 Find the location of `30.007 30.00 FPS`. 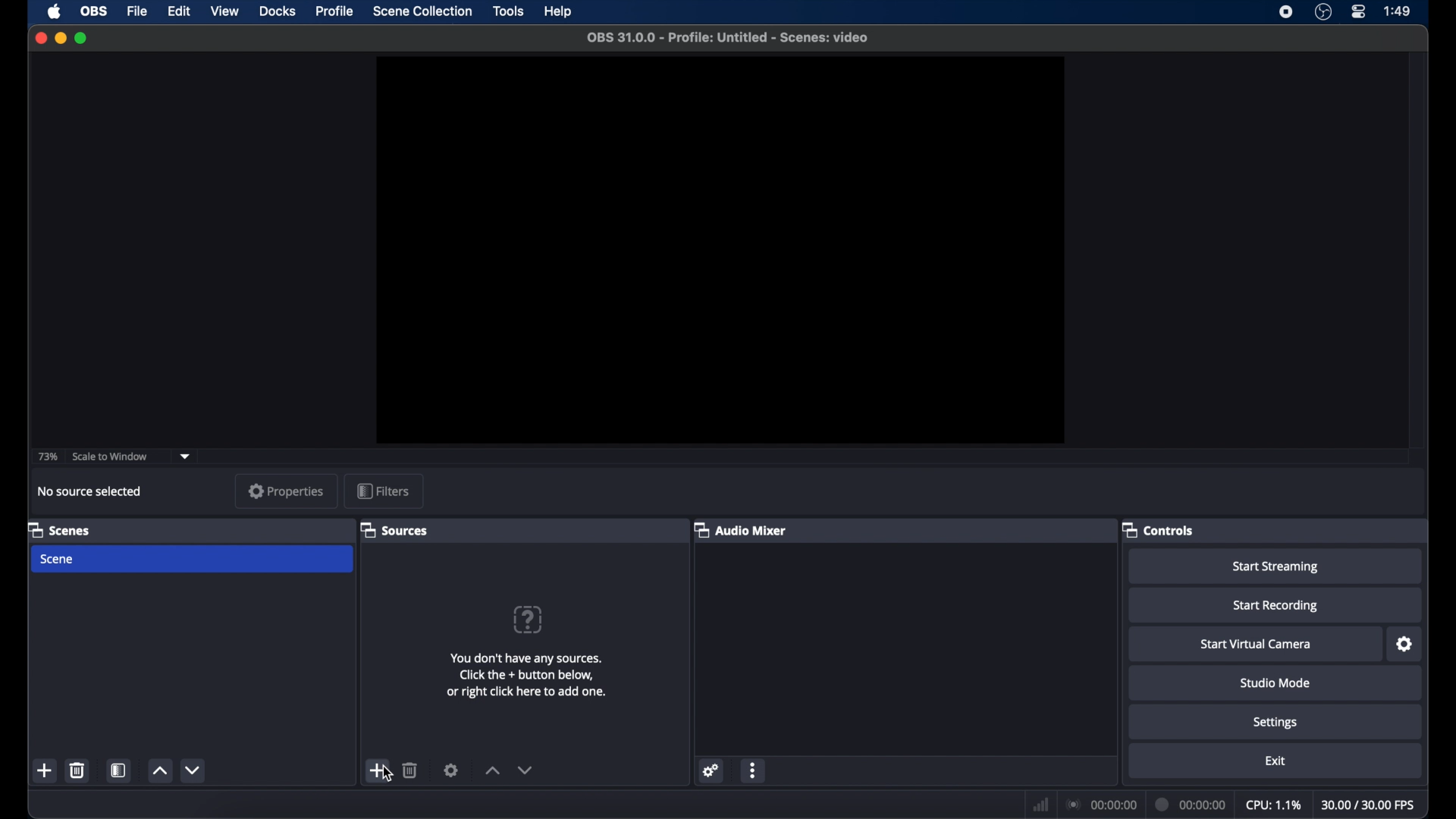

30.007 30.00 FPS is located at coordinates (1370, 802).